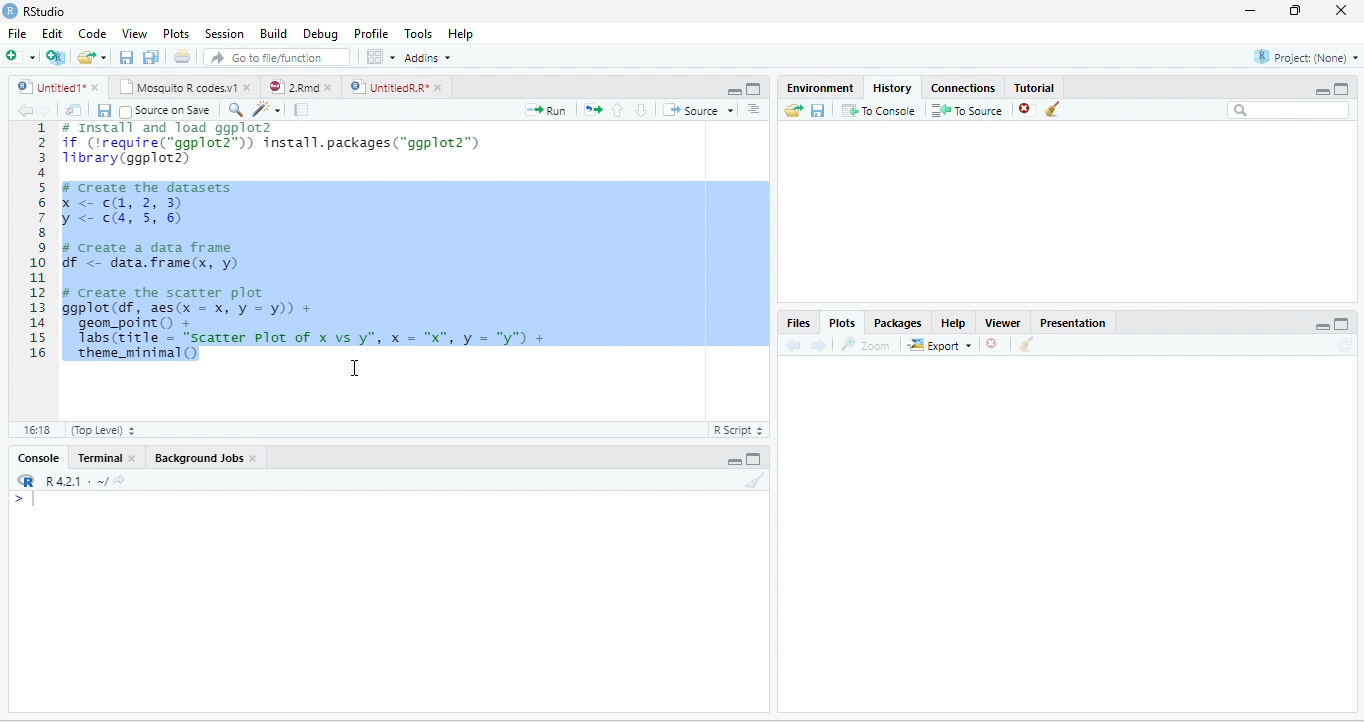  I want to click on Help, so click(953, 322).